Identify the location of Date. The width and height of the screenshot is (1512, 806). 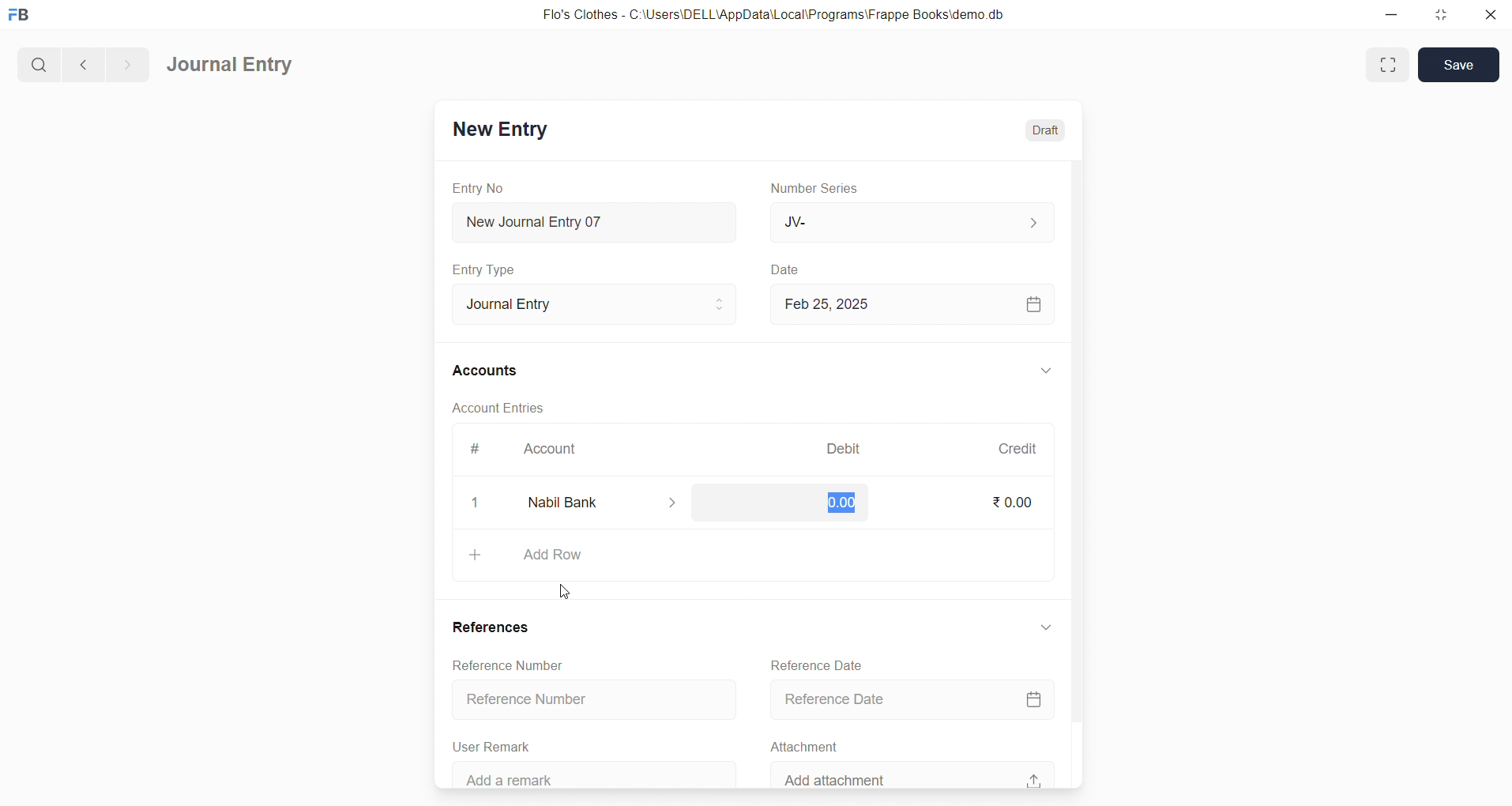
(785, 269).